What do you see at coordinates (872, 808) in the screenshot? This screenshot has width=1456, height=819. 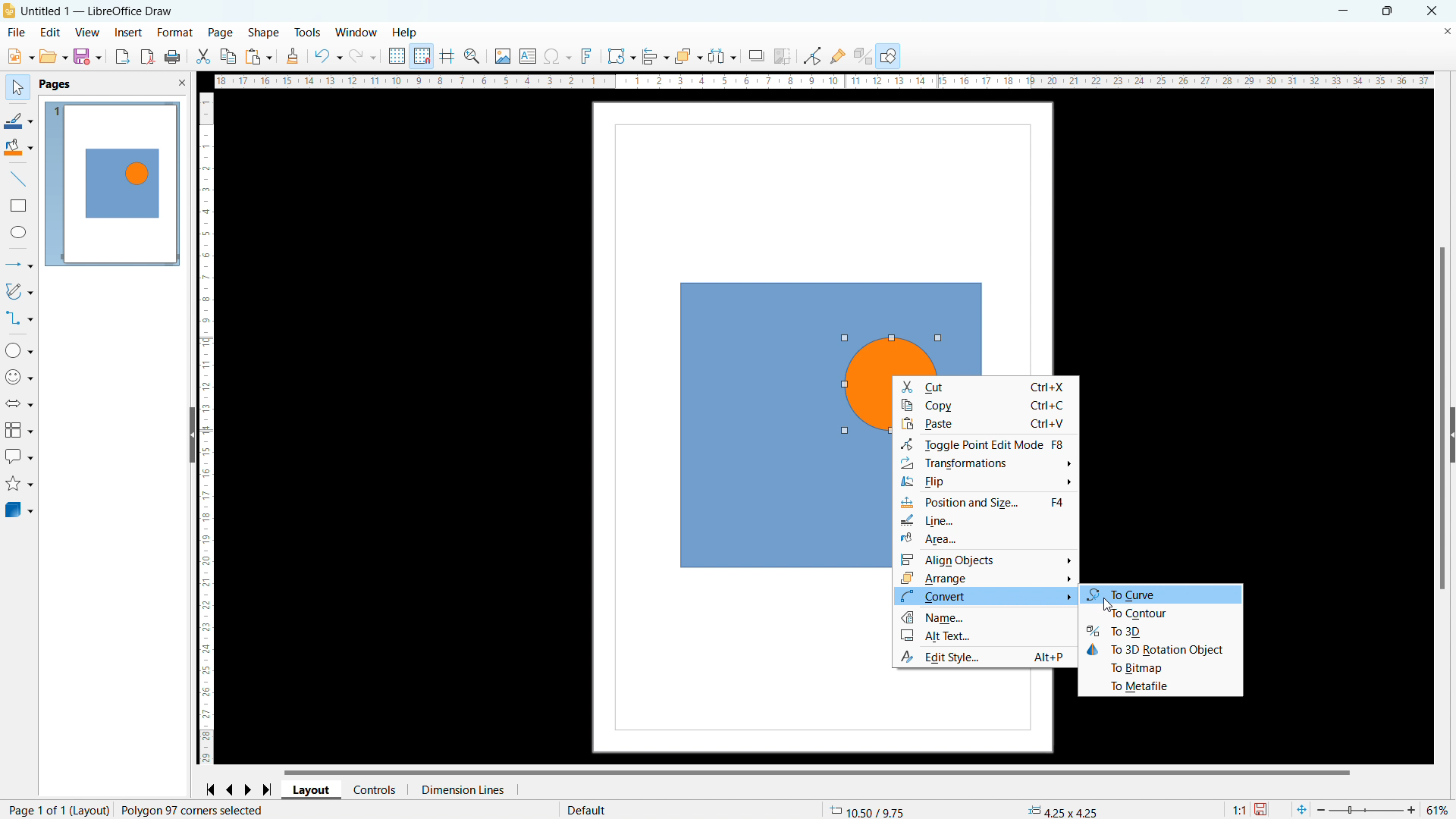 I see `10.50/9.75` at bounding box center [872, 808].